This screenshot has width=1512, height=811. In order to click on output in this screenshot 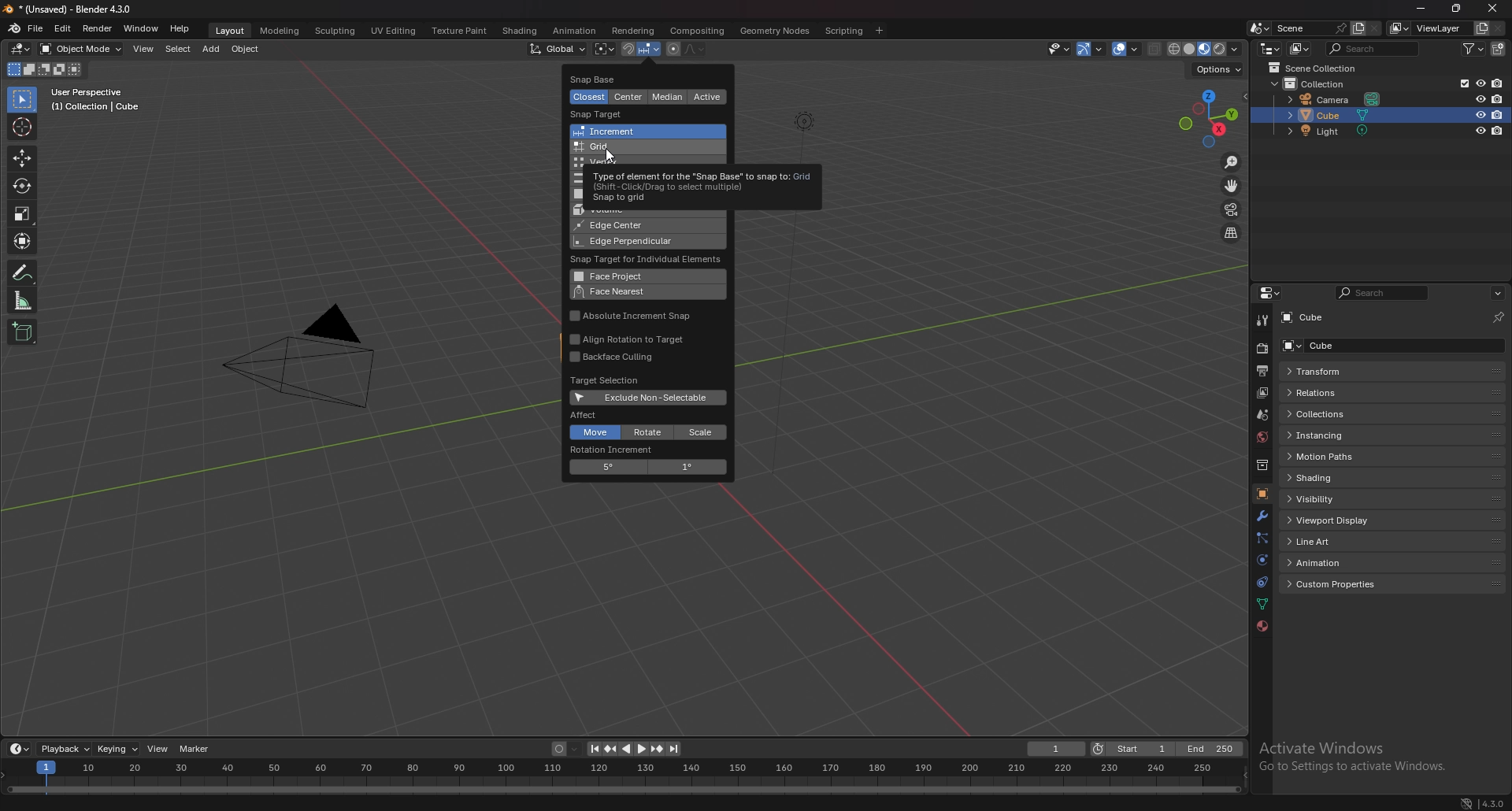, I will do `click(1262, 371)`.